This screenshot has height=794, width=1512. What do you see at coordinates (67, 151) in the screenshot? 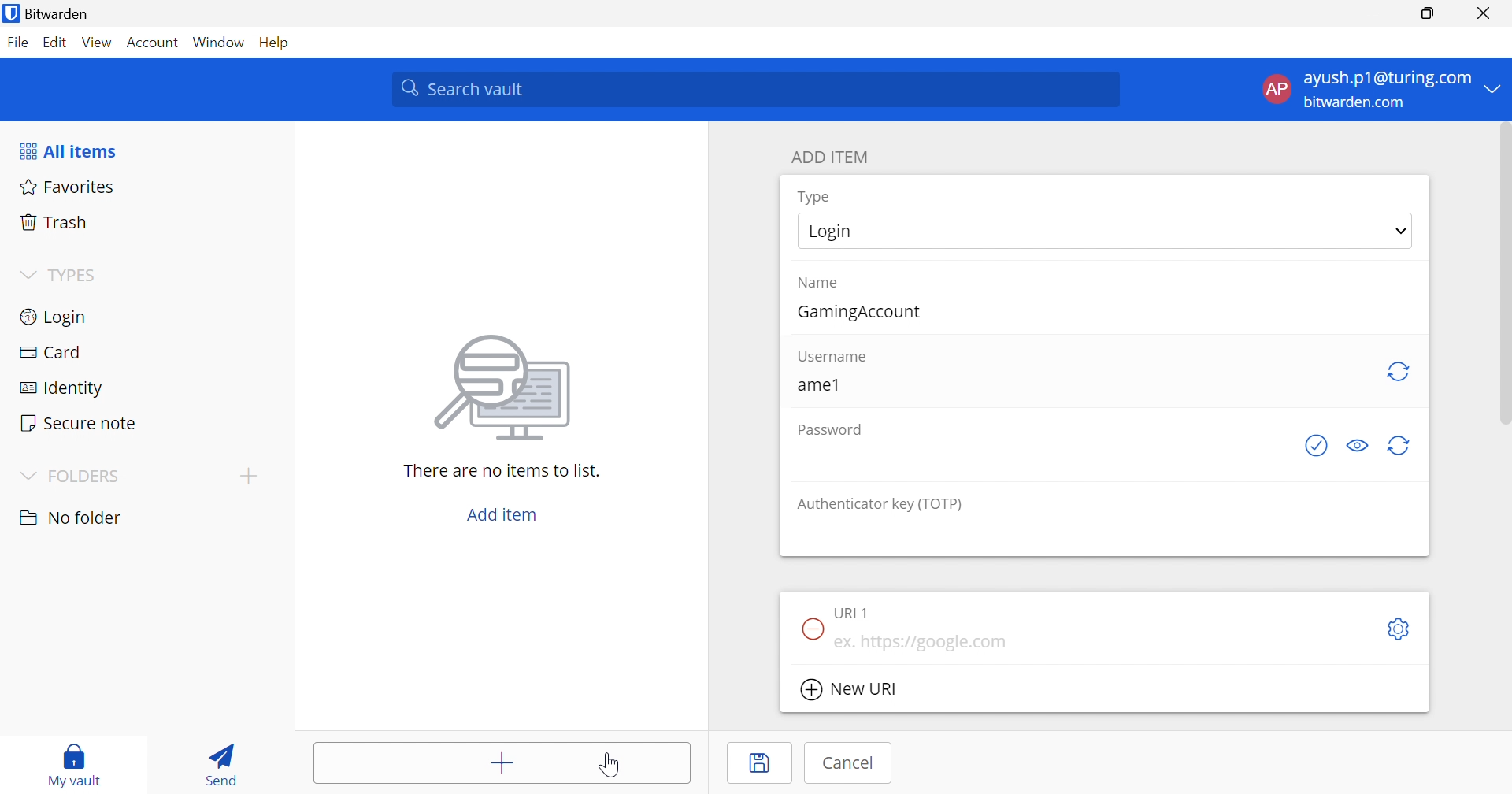
I see `All items` at bounding box center [67, 151].